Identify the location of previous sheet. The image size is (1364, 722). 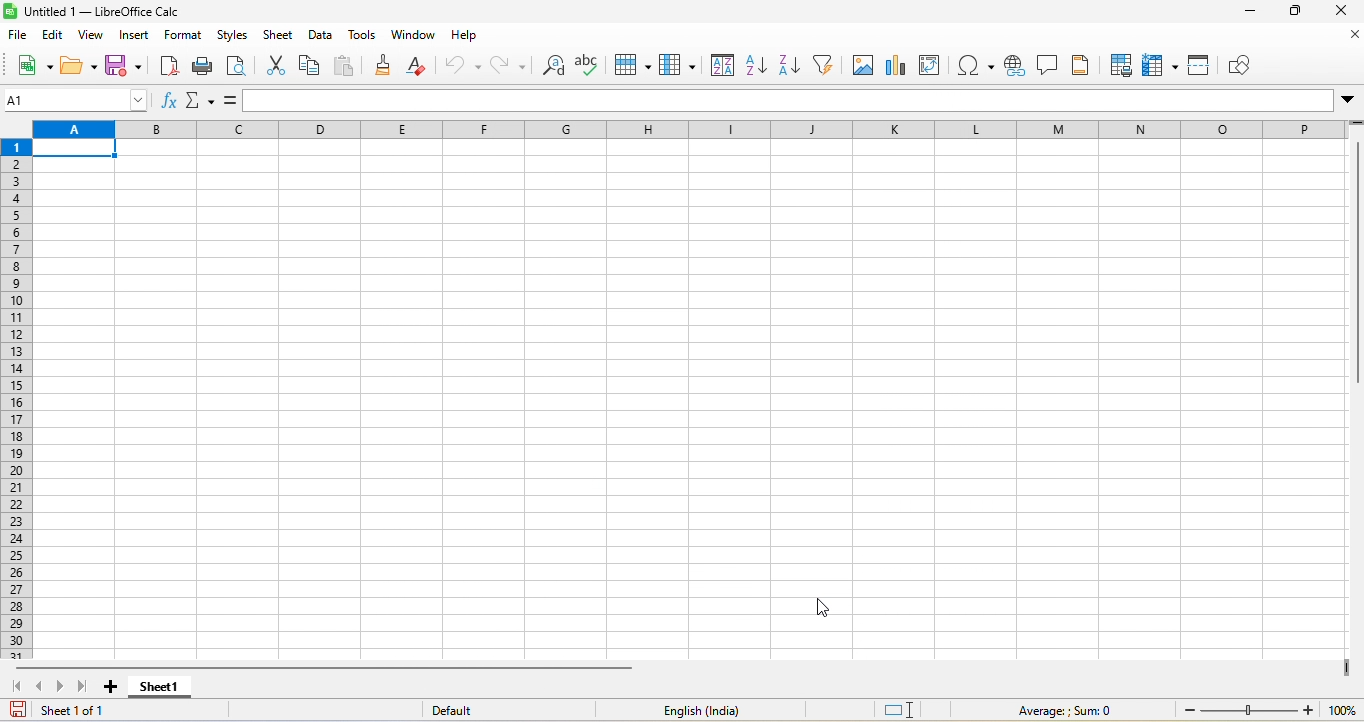
(42, 687).